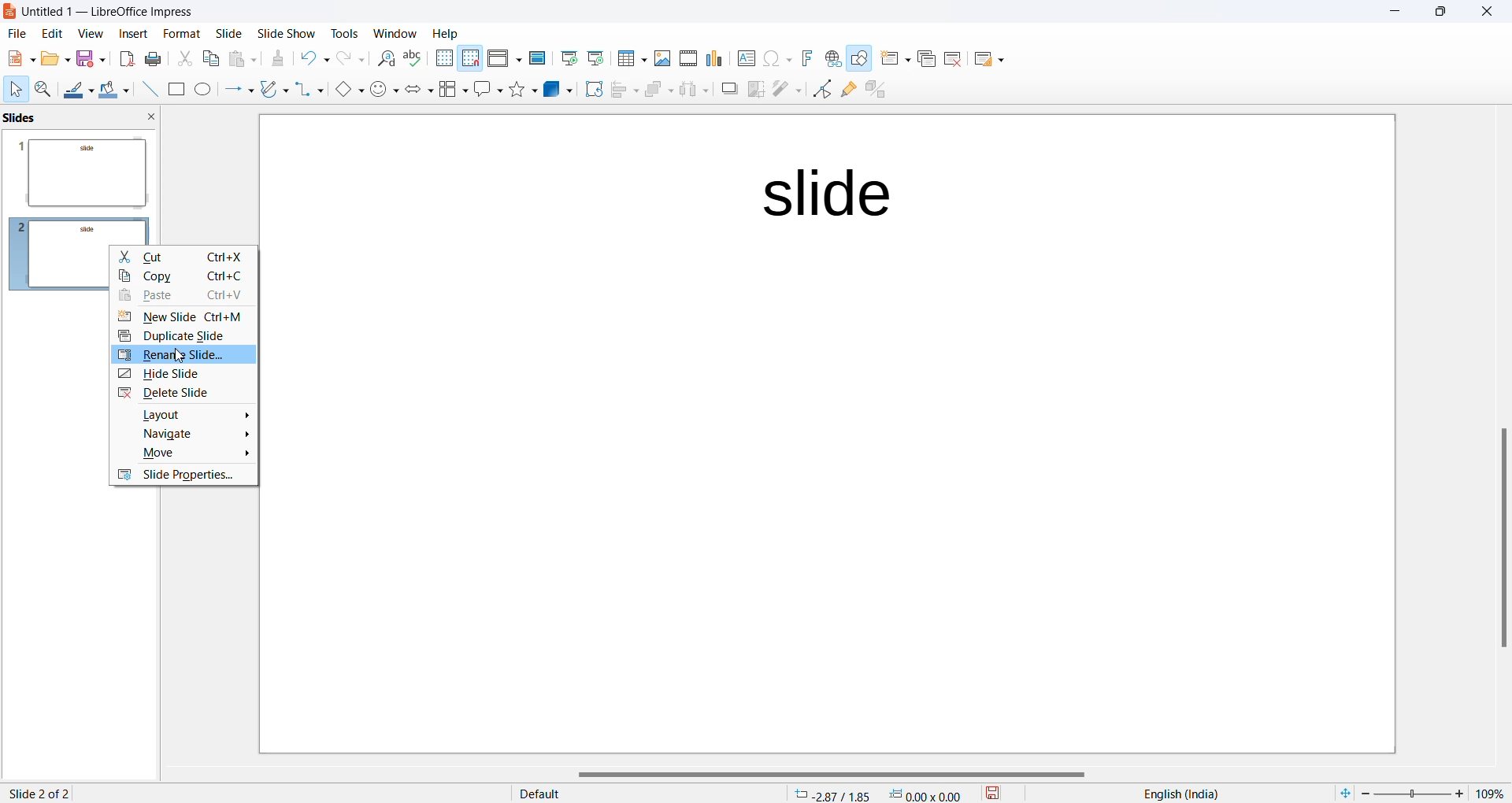 This screenshot has width=1512, height=803. Describe the element at coordinates (185, 337) in the screenshot. I see `duplicate slide` at that location.